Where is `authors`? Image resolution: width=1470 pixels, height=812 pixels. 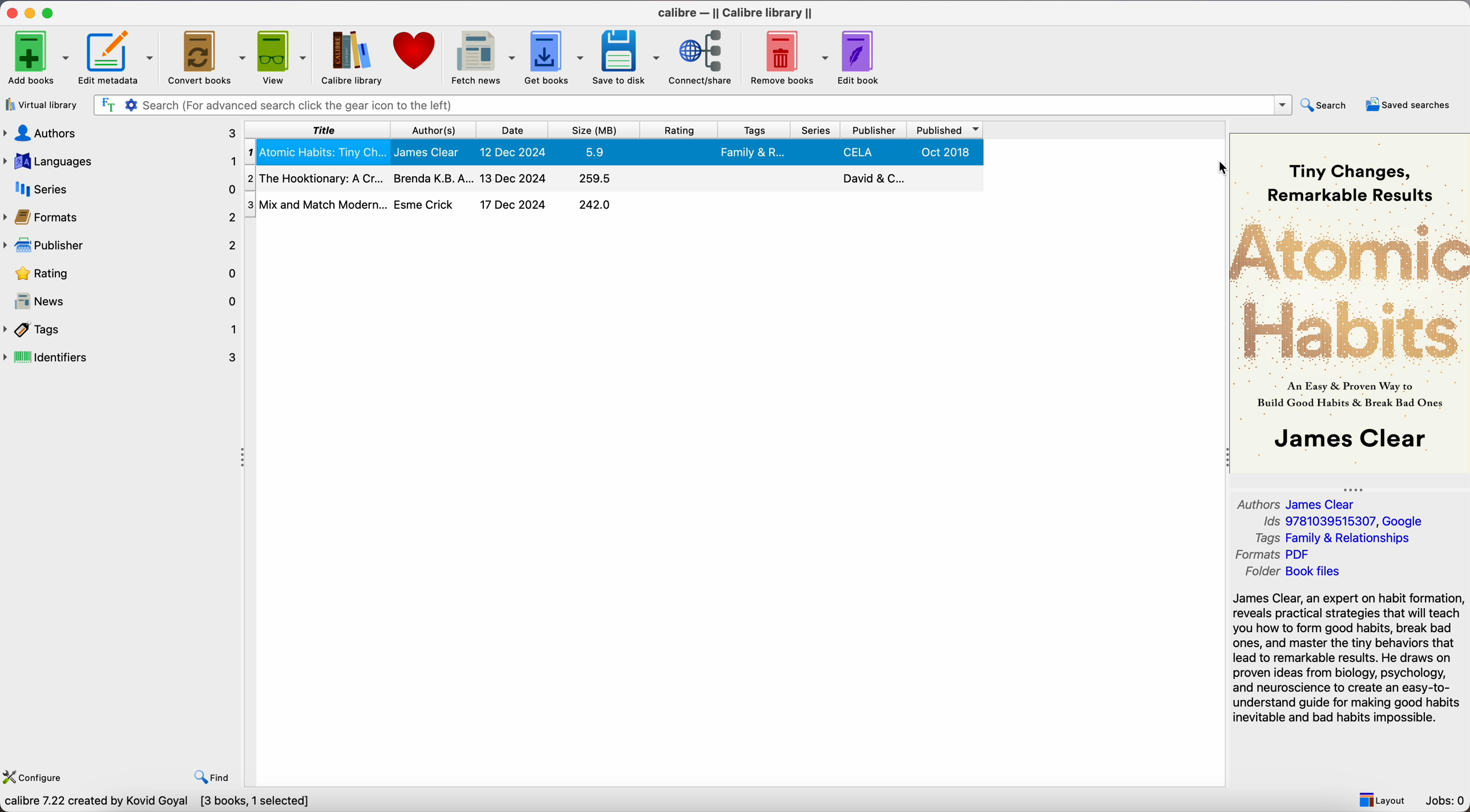 authors is located at coordinates (437, 130).